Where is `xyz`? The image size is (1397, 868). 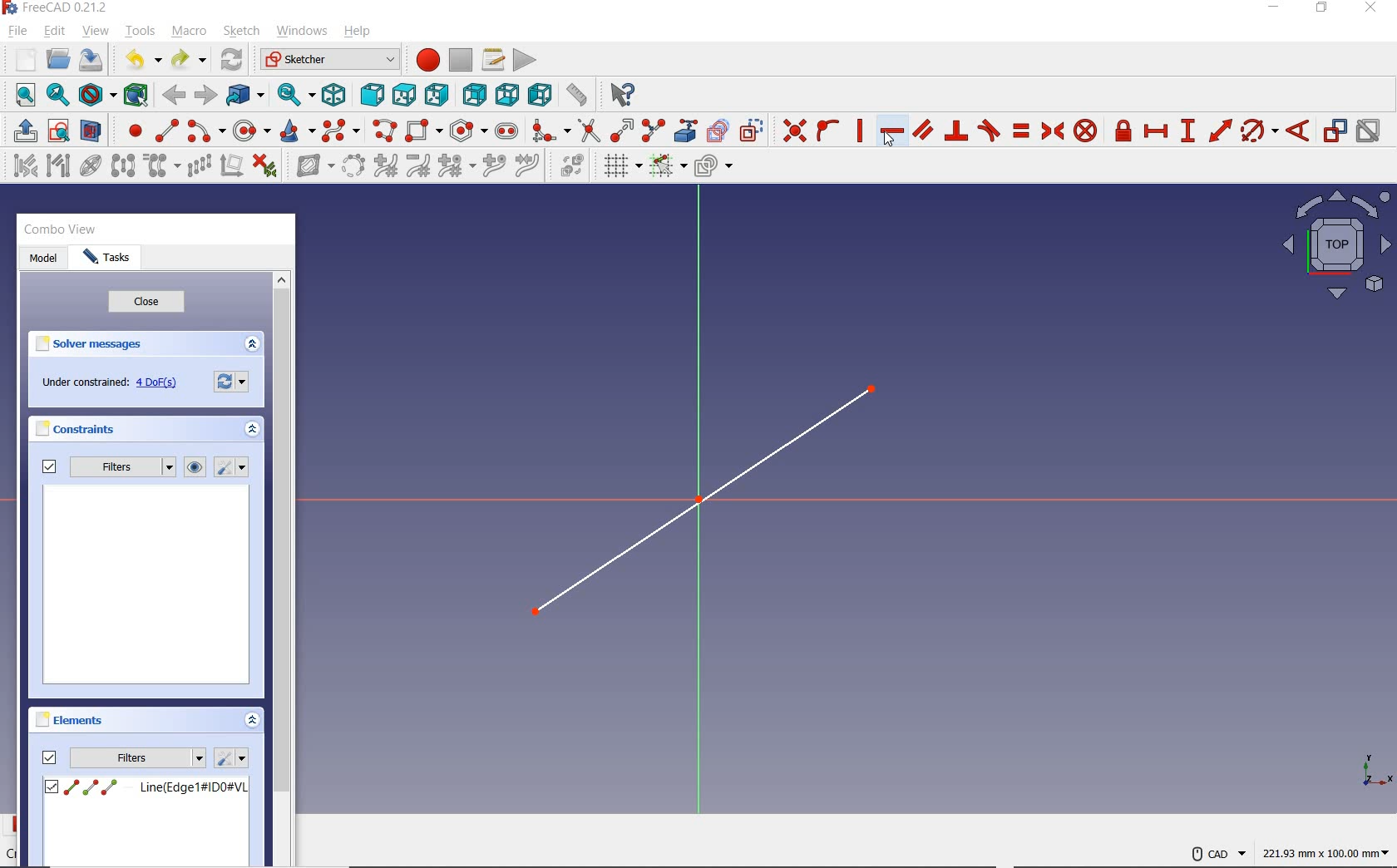 xyz is located at coordinates (1371, 769).